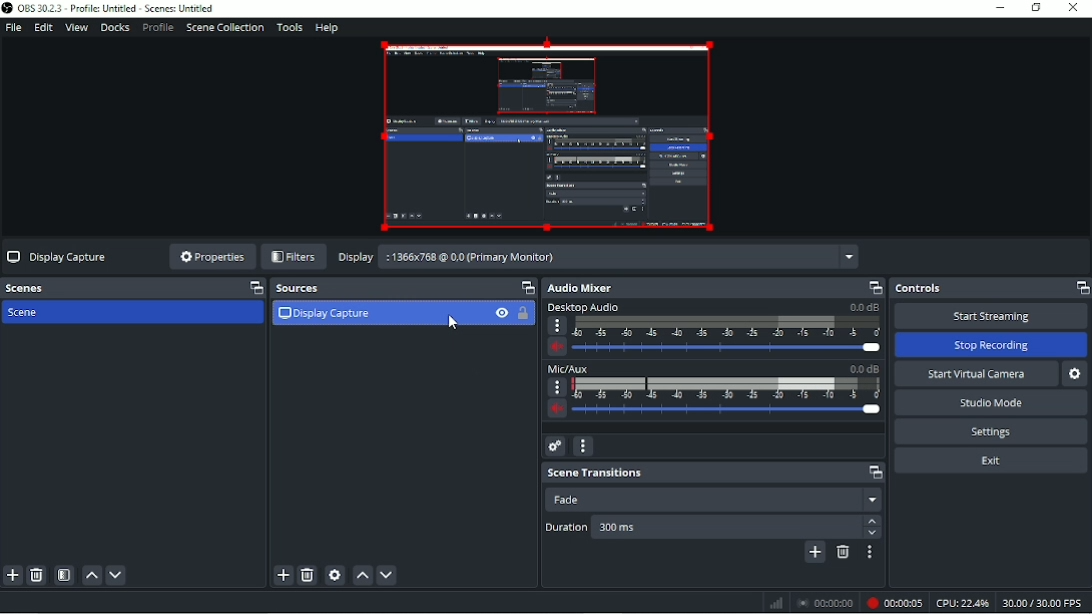  I want to click on Audio mixer menu, so click(584, 446).